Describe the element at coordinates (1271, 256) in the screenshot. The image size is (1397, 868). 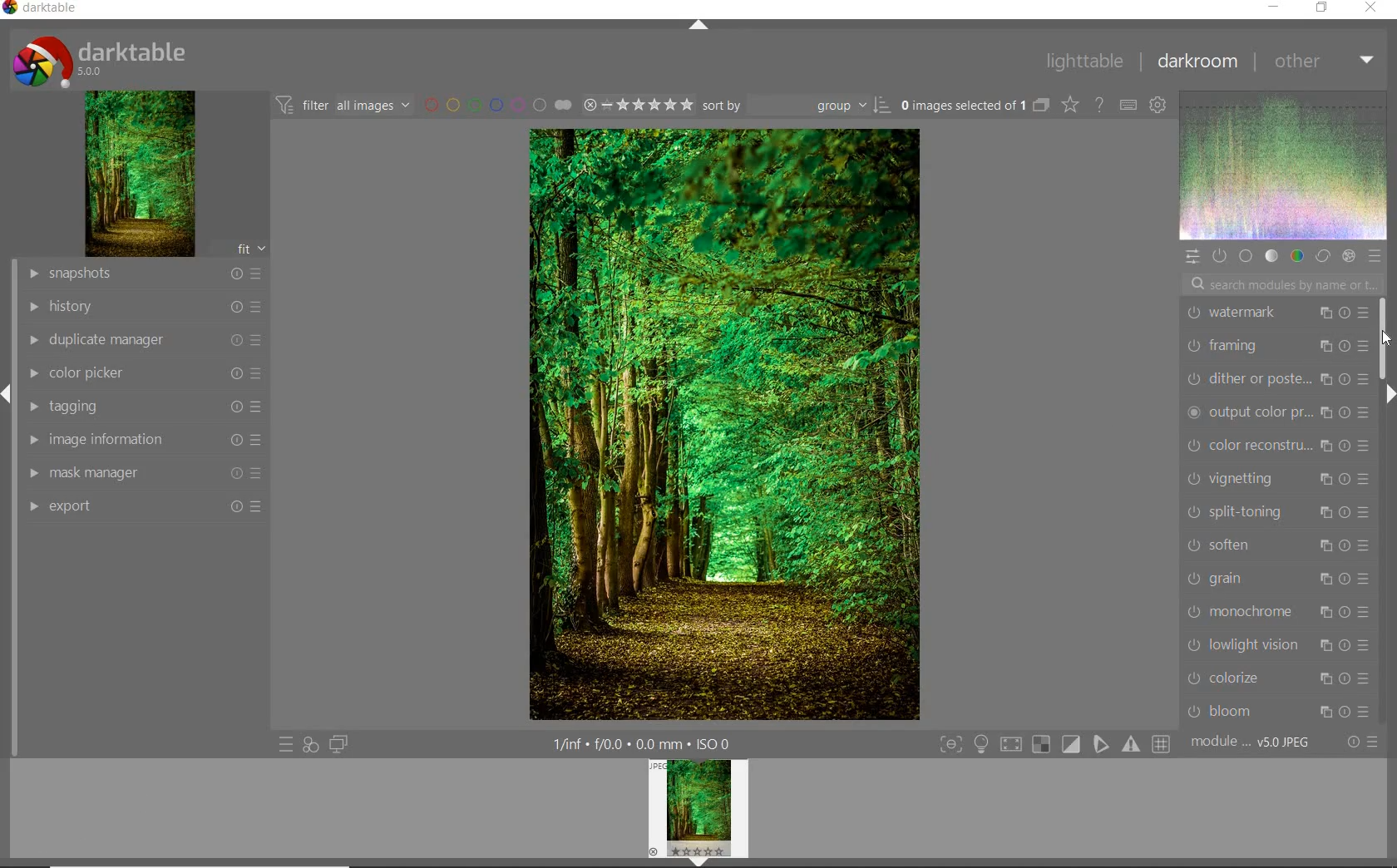
I see `TONE ` at that location.